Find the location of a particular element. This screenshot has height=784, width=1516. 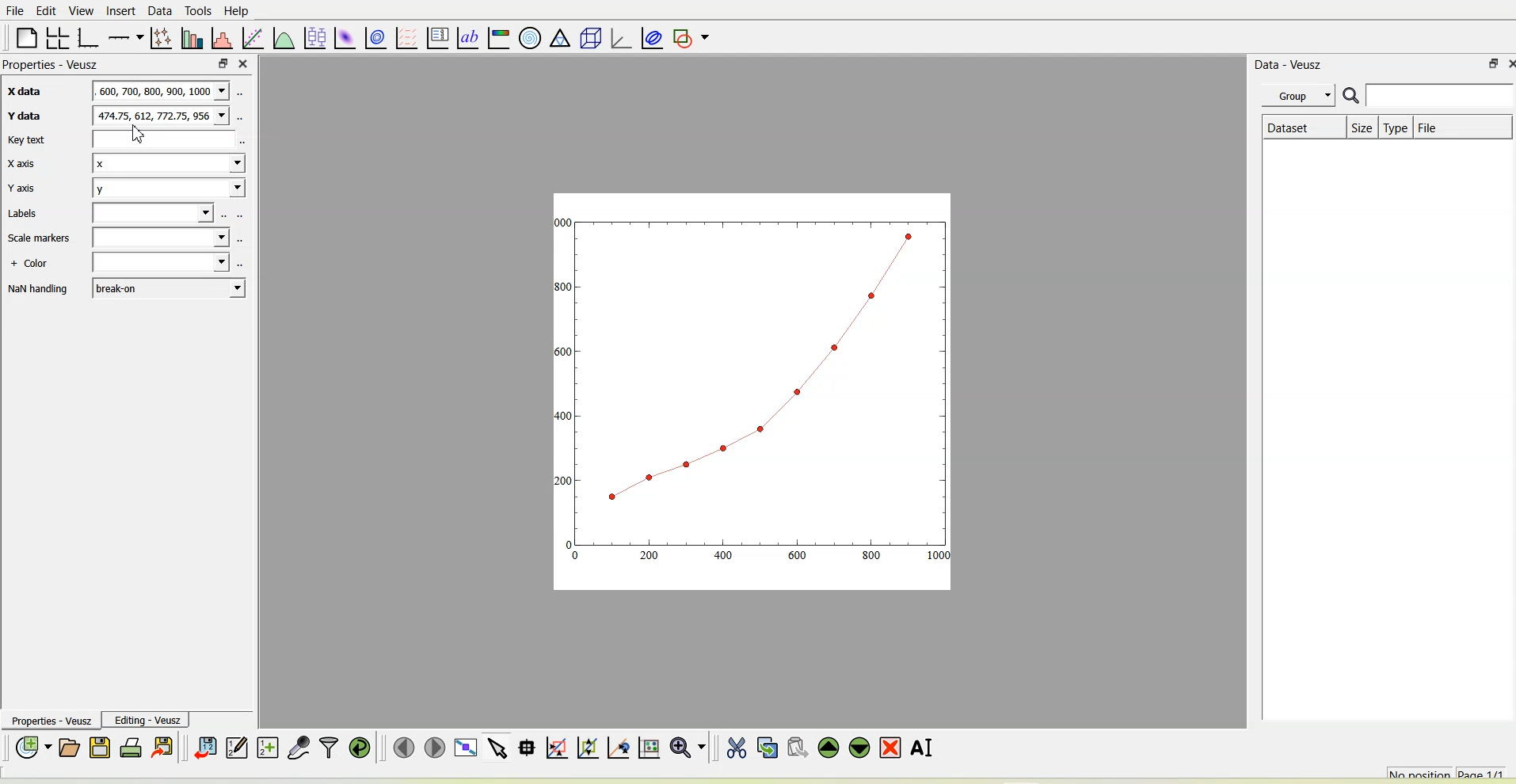

Histogram of a dataset is located at coordinates (222, 39).